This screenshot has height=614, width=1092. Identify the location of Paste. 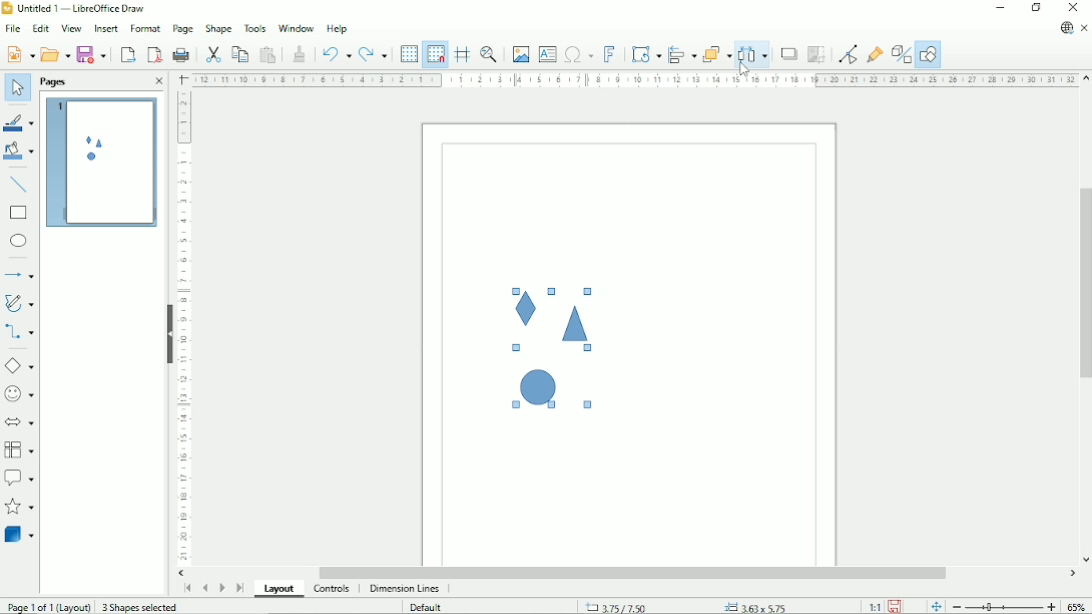
(268, 53).